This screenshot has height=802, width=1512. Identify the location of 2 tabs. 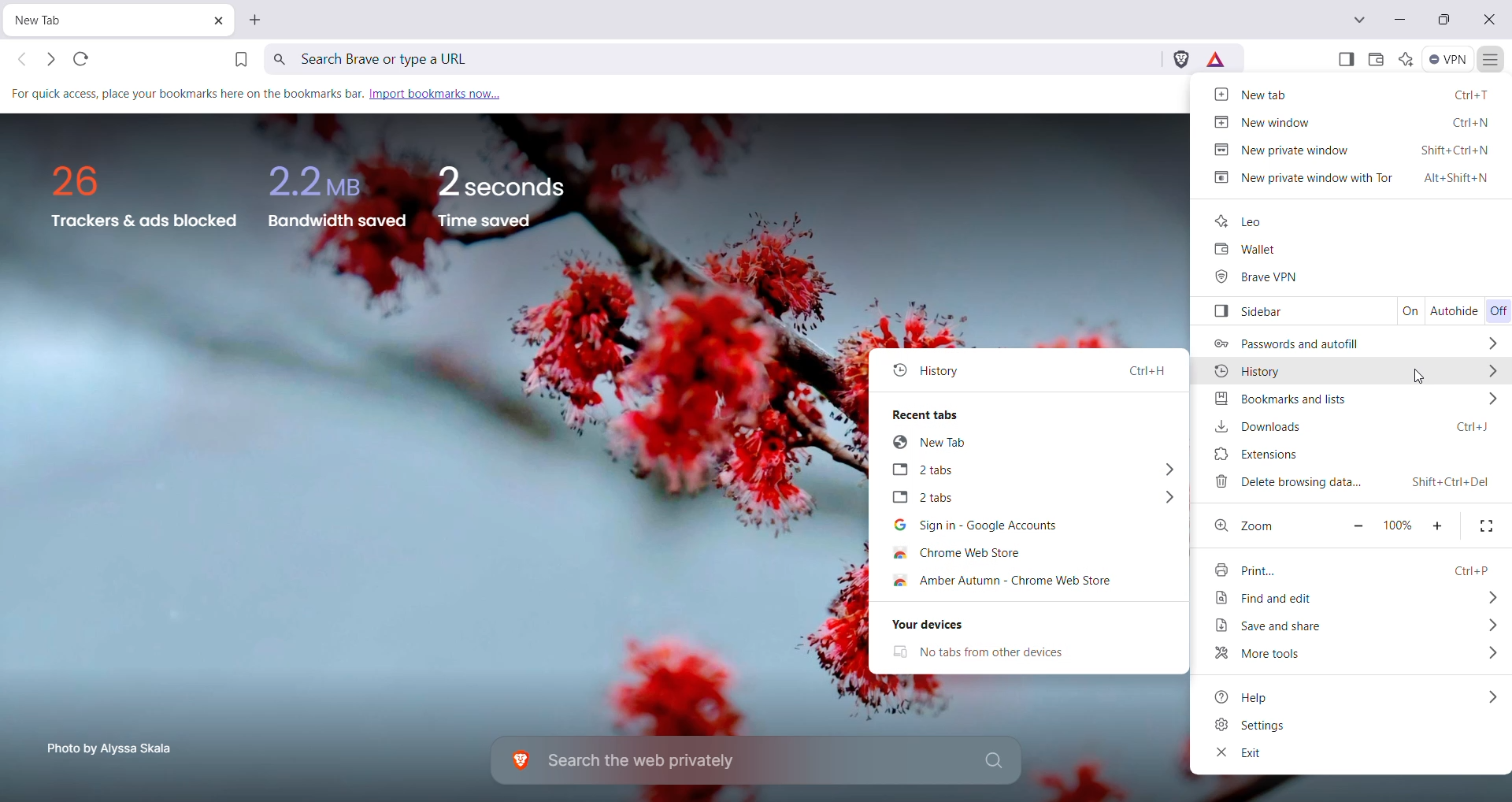
(1031, 471).